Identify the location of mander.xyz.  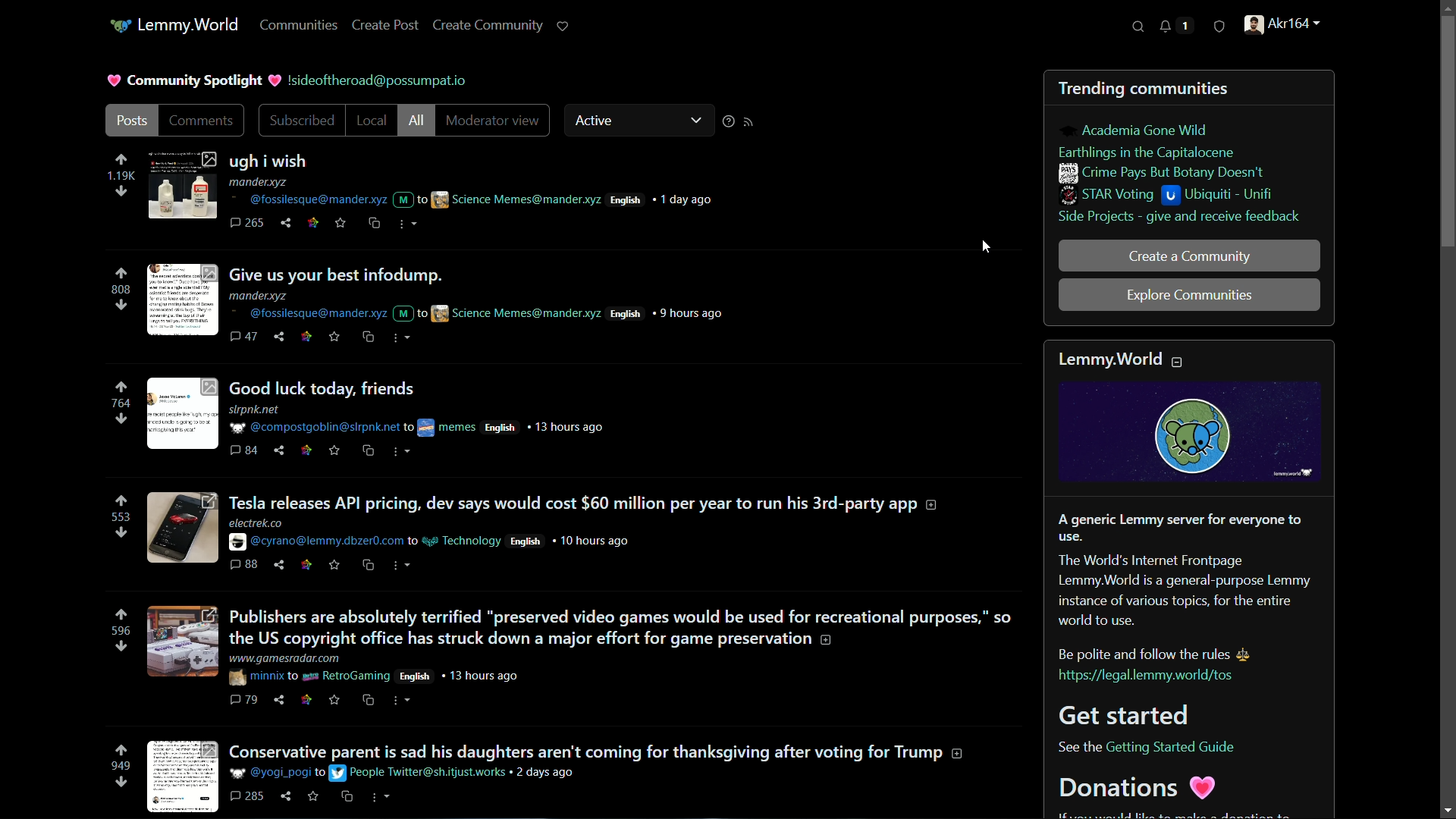
(262, 183).